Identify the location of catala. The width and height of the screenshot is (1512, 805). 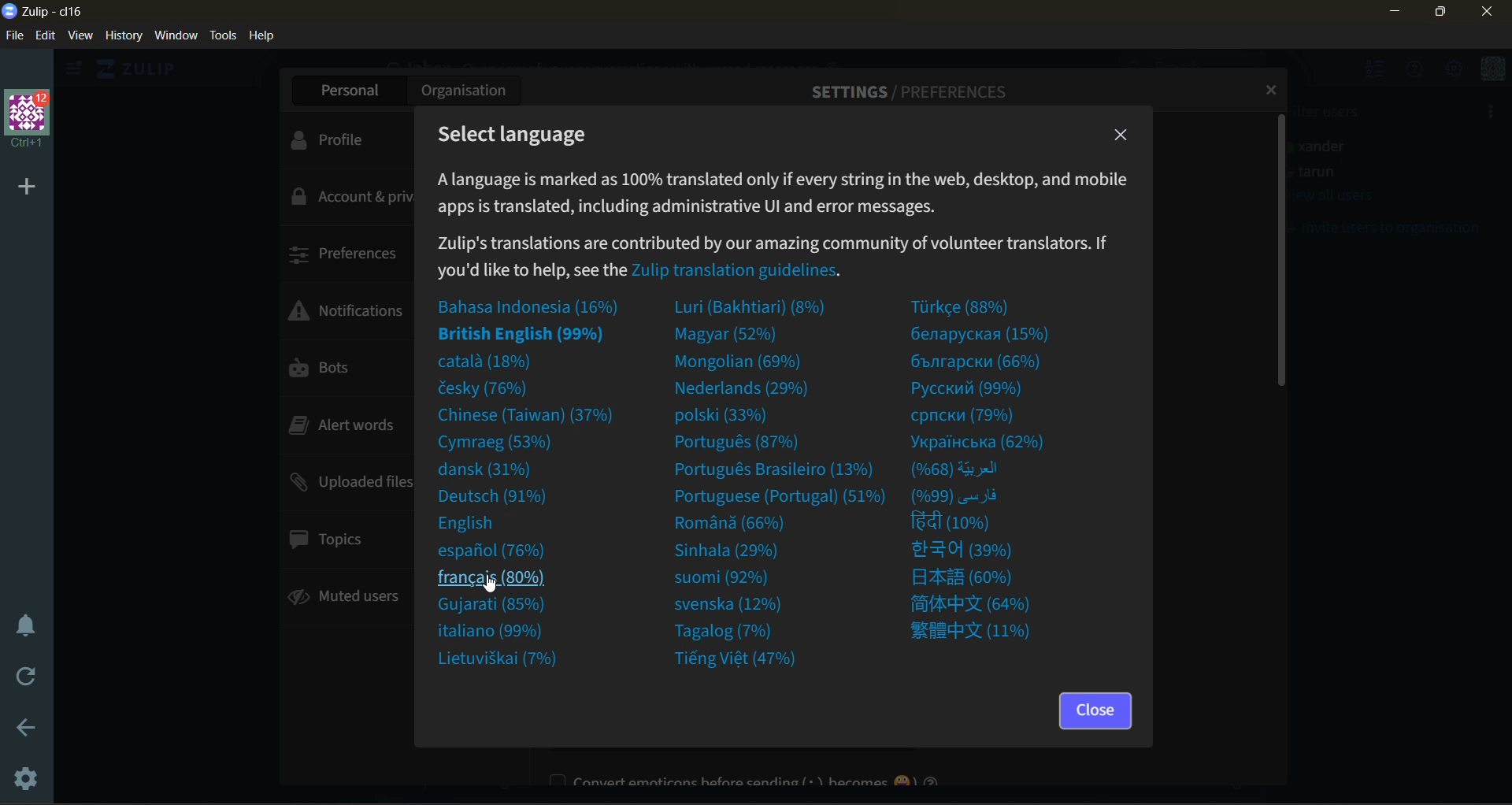
(490, 362).